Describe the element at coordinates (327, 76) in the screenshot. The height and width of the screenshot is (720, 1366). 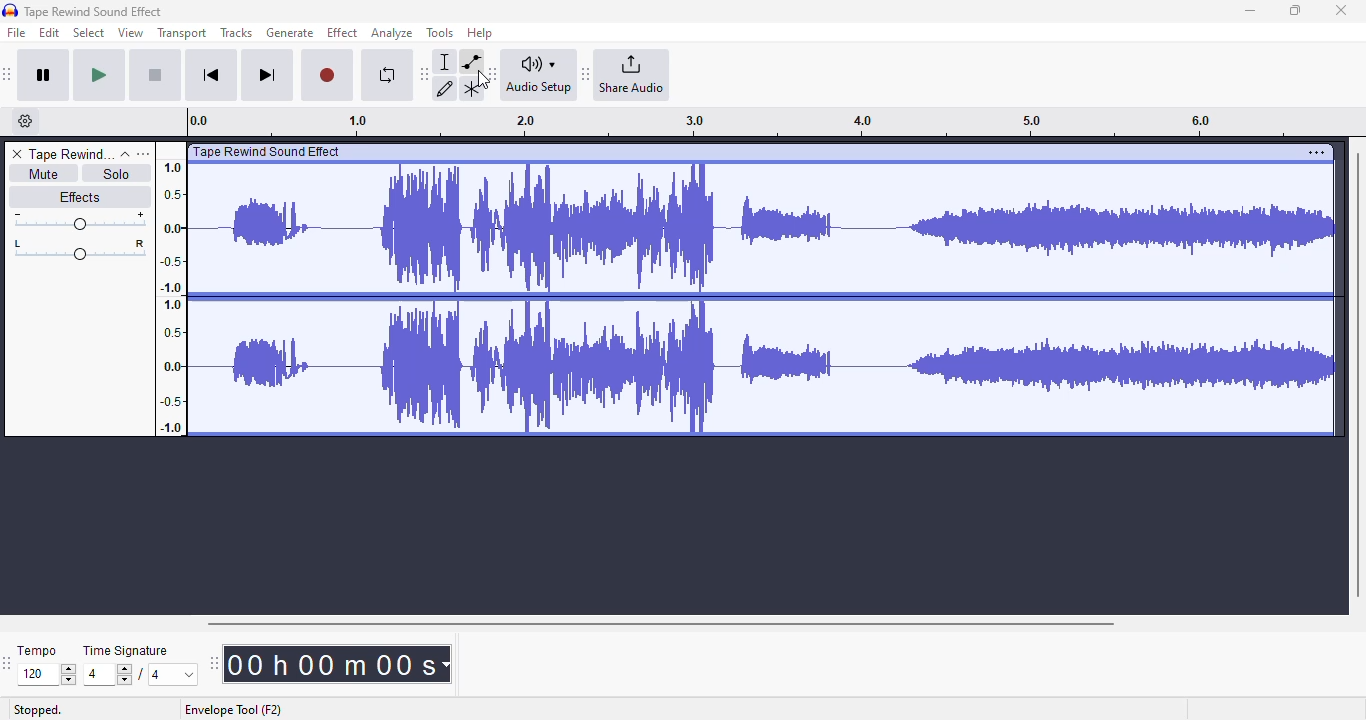
I see `record` at that location.